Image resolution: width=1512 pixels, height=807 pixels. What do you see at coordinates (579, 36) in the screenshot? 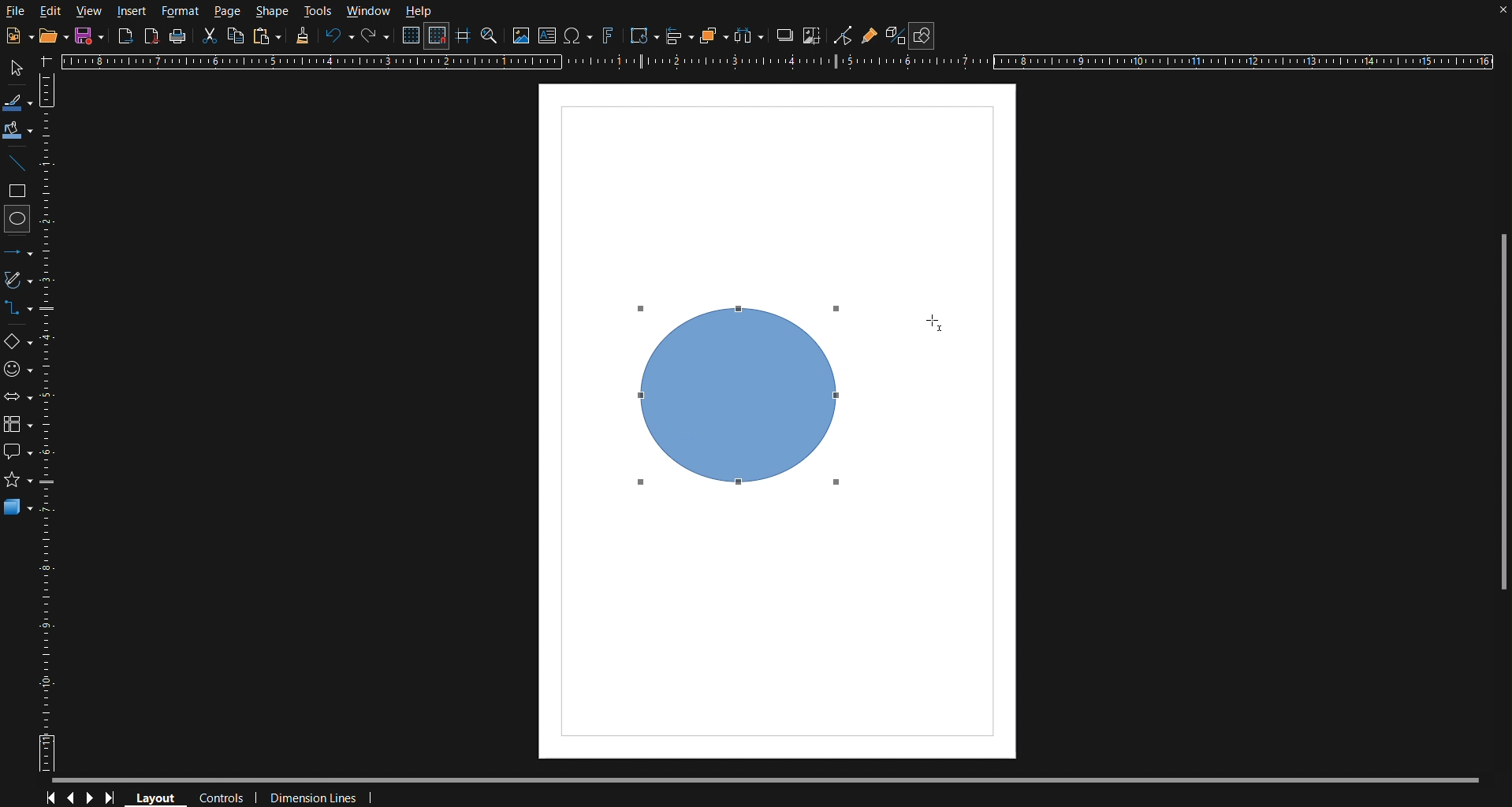
I see `Insert Special Character` at bounding box center [579, 36].